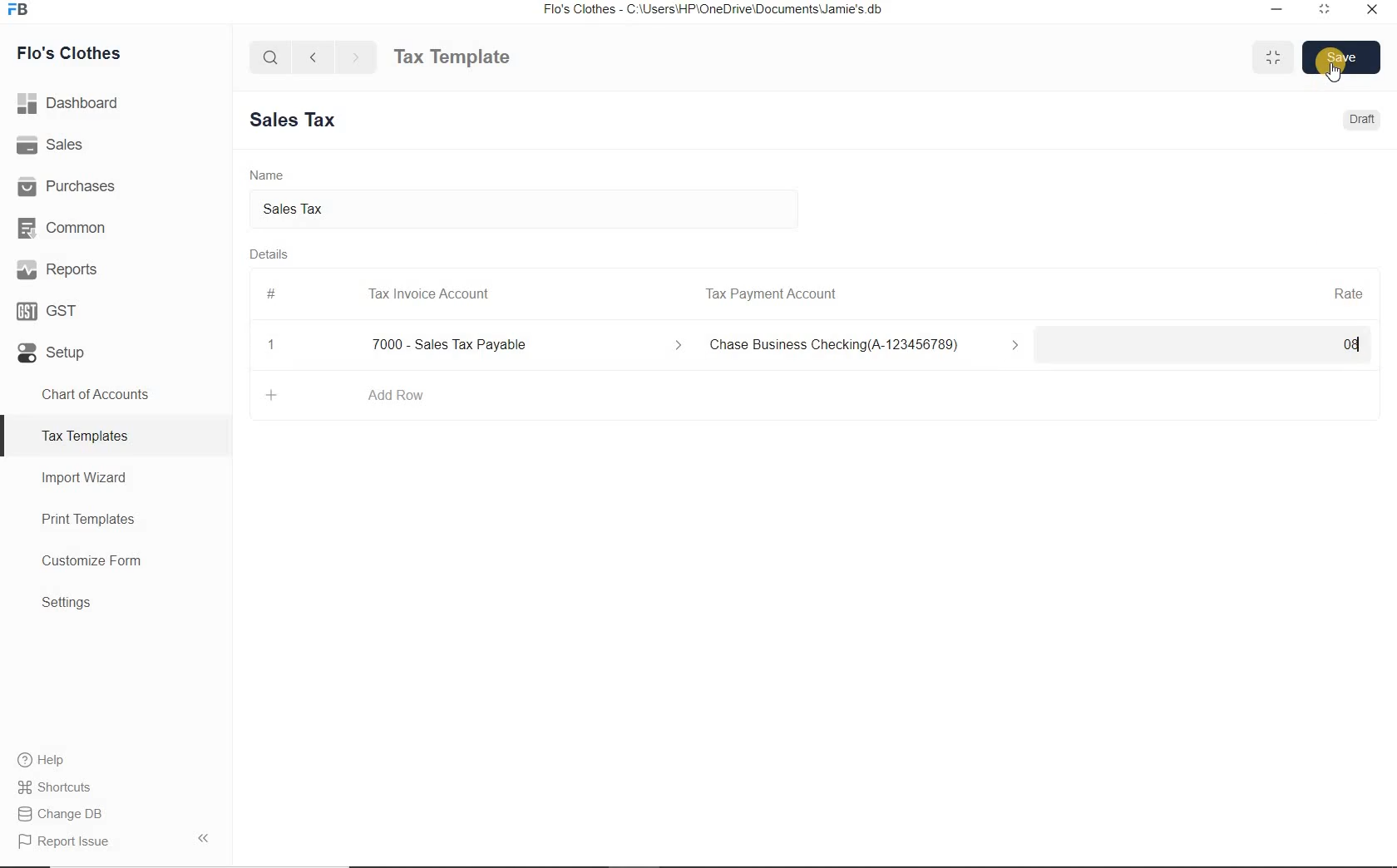 The height and width of the screenshot is (868, 1397). What do you see at coordinates (66, 53) in the screenshot?
I see `Flo's Clothes` at bounding box center [66, 53].